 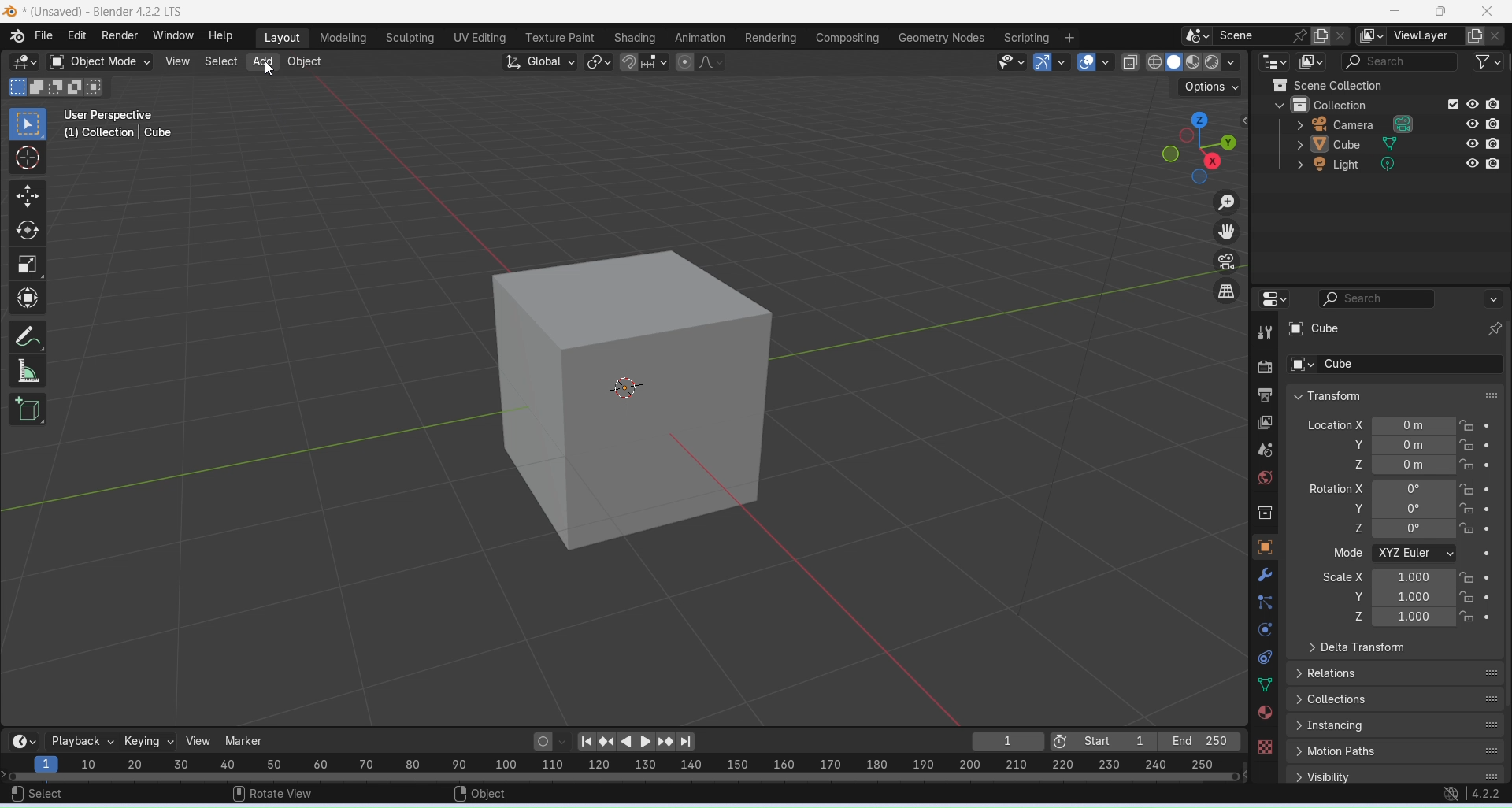 What do you see at coordinates (1396, 726) in the screenshot?
I see `Instancing` at bounding box center [1396, 726].